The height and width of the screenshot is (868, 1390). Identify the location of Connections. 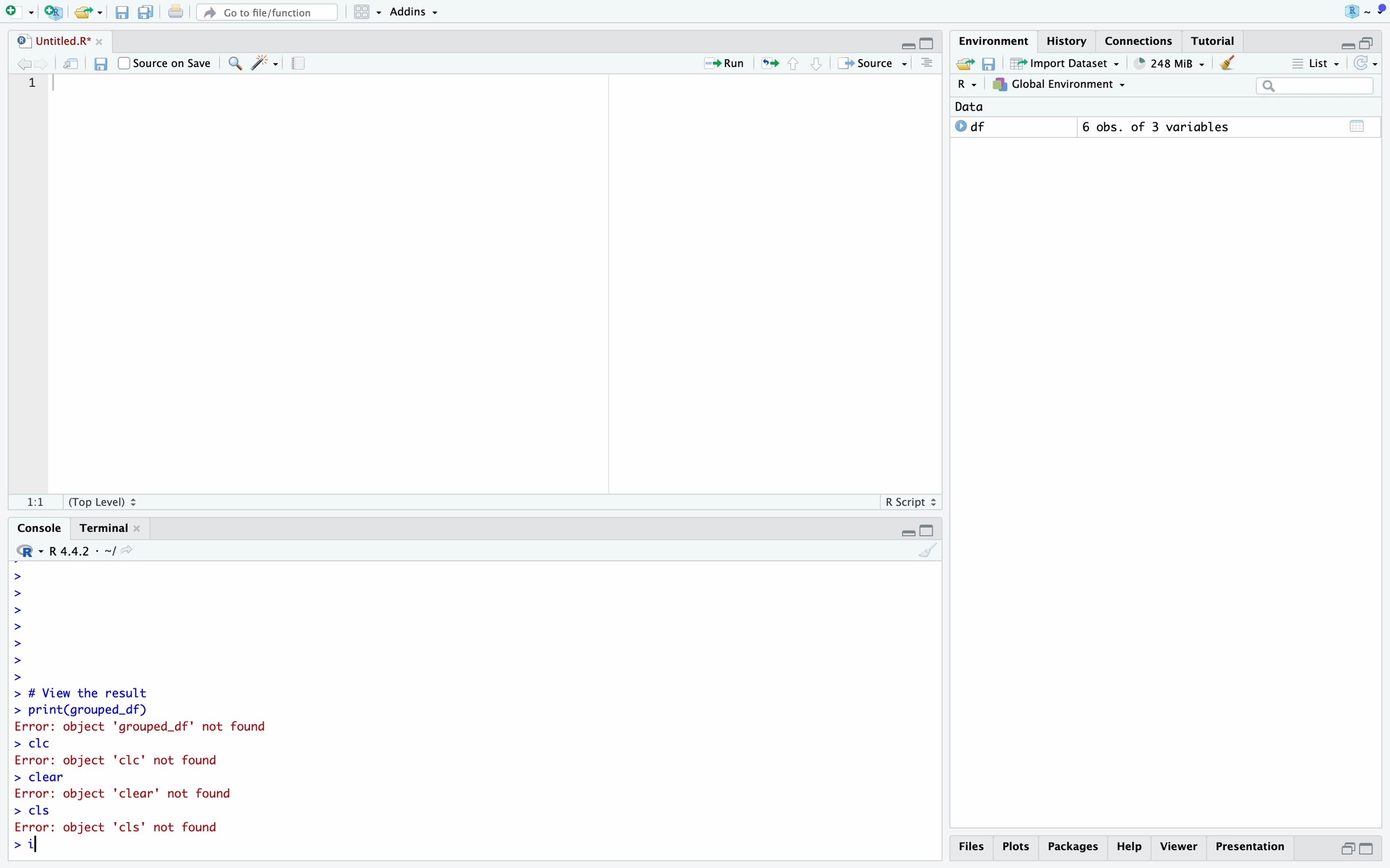
(1139, 41).